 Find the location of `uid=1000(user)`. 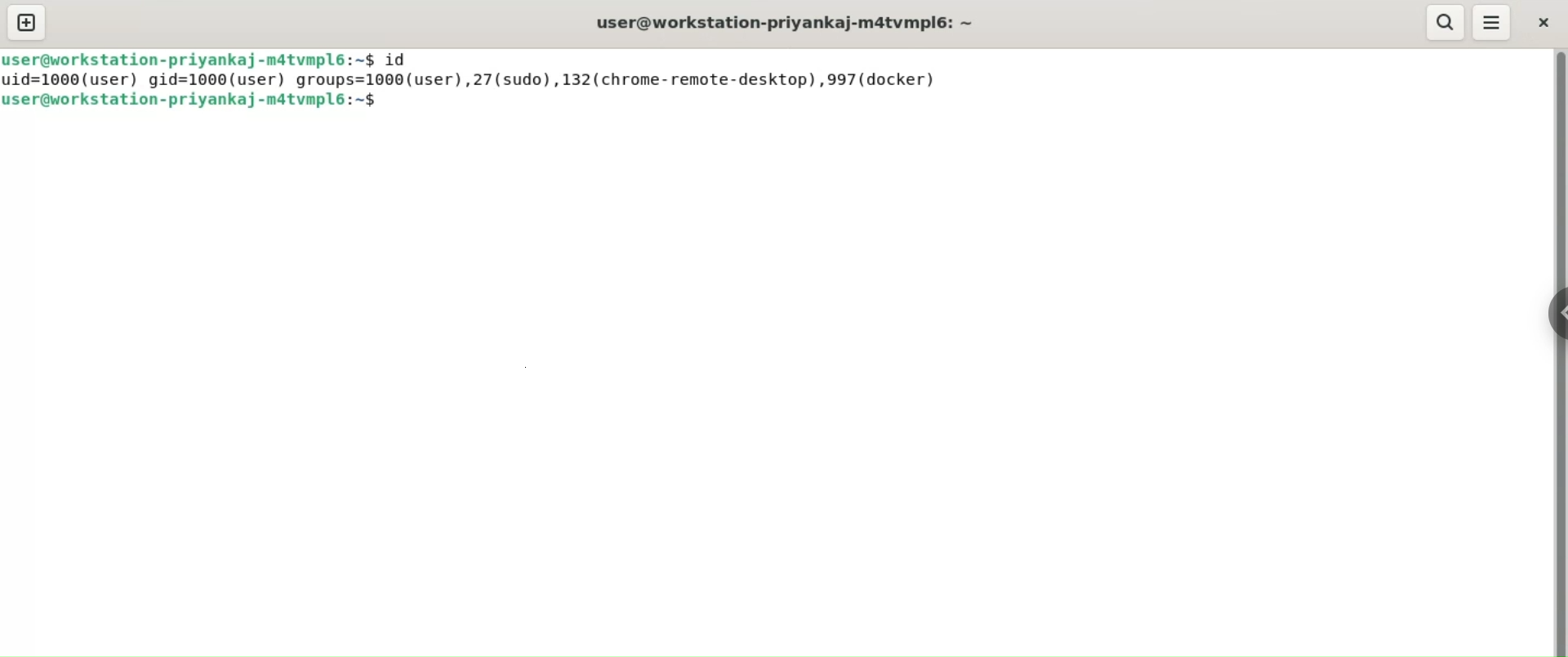

uid=1000(user) is located at coordinates (72, 79).